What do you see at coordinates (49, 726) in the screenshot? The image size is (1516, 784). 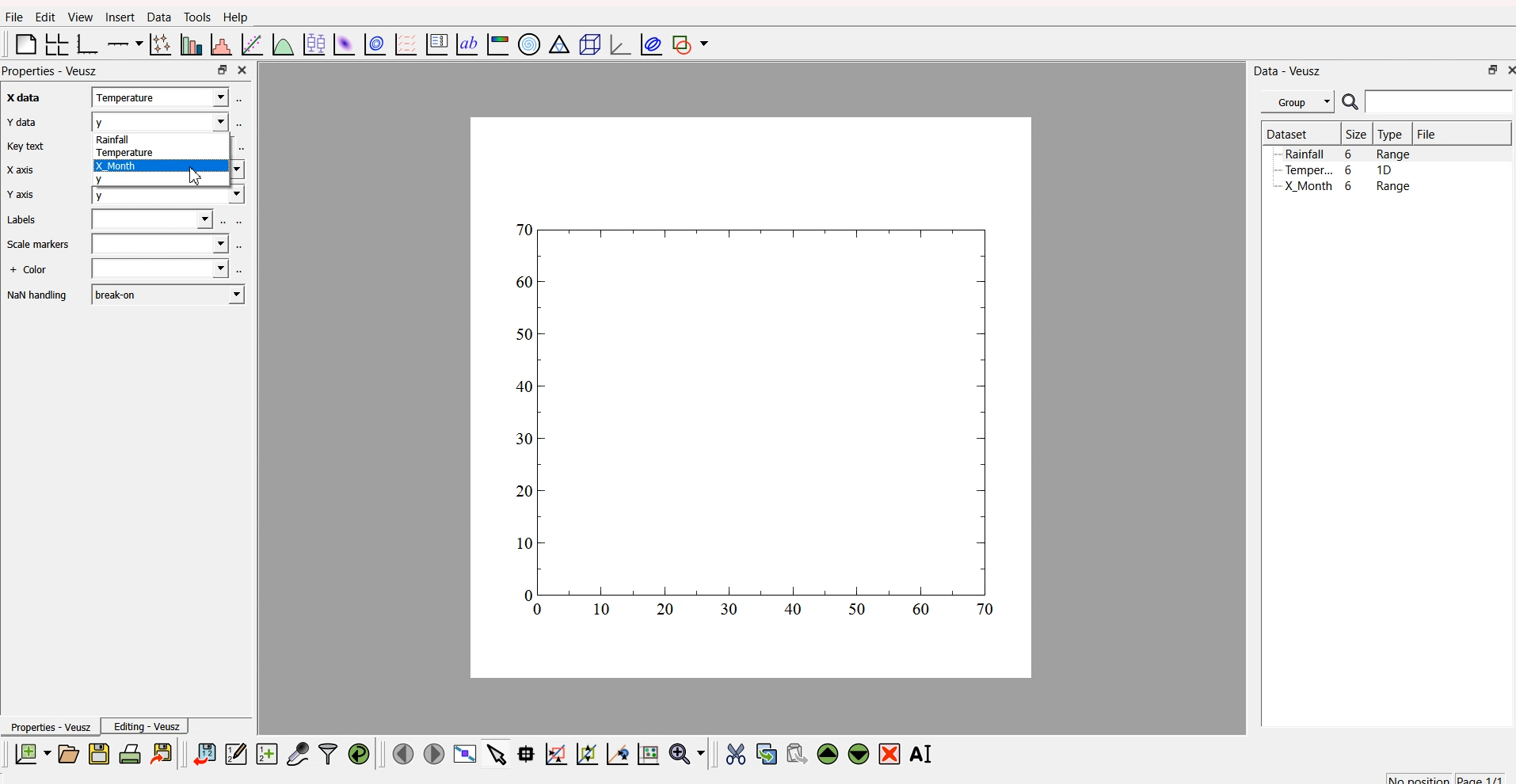 I see `Properties - Veusz` at bounding box center [49, 726].